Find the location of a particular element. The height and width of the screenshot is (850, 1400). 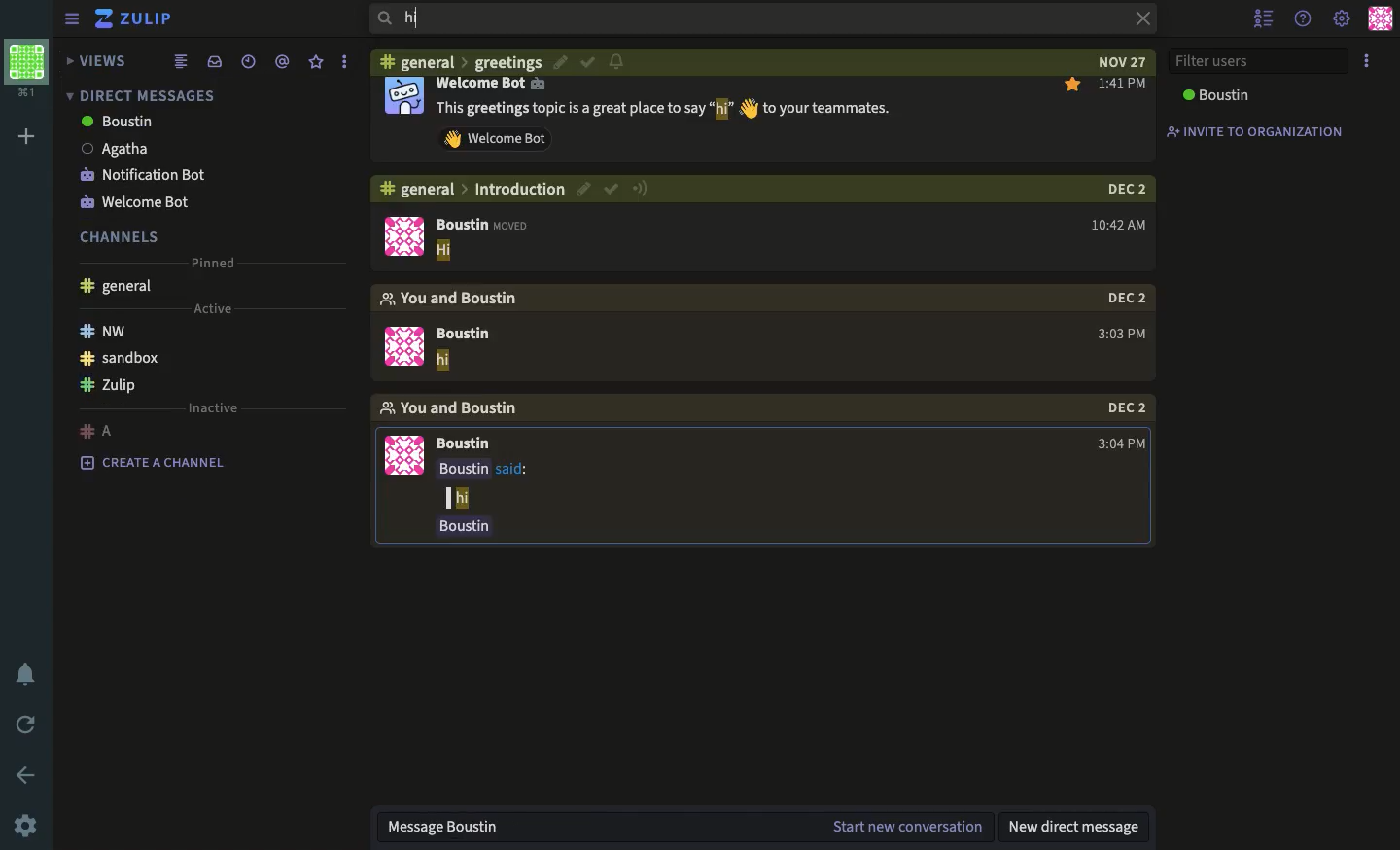

zulip is located at coordinates (136, 18).